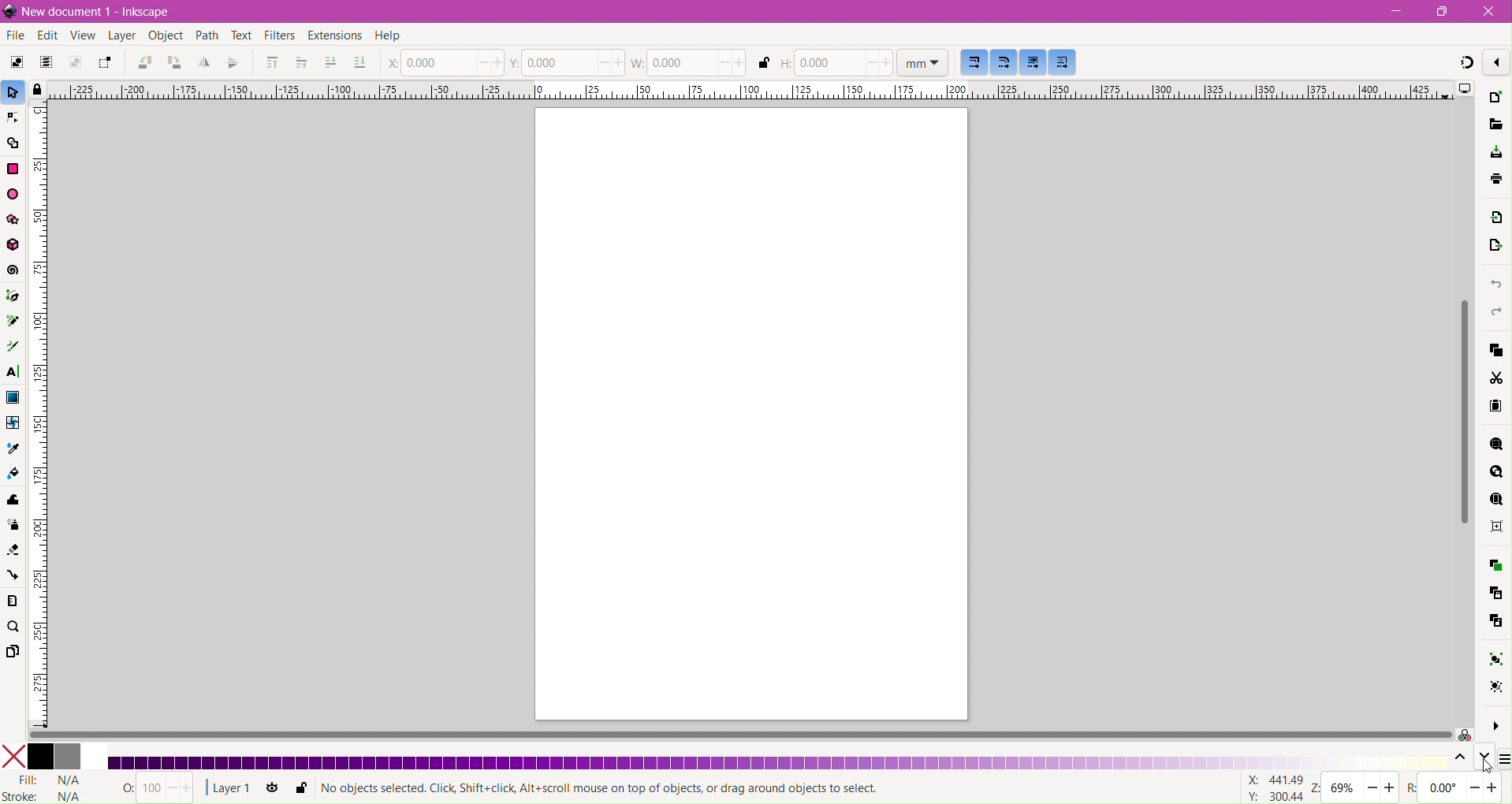  What do you see at coordinates (233, 63) in the screenshot?
I see `Object Flip Vertical` at bounding box center [233, 63].